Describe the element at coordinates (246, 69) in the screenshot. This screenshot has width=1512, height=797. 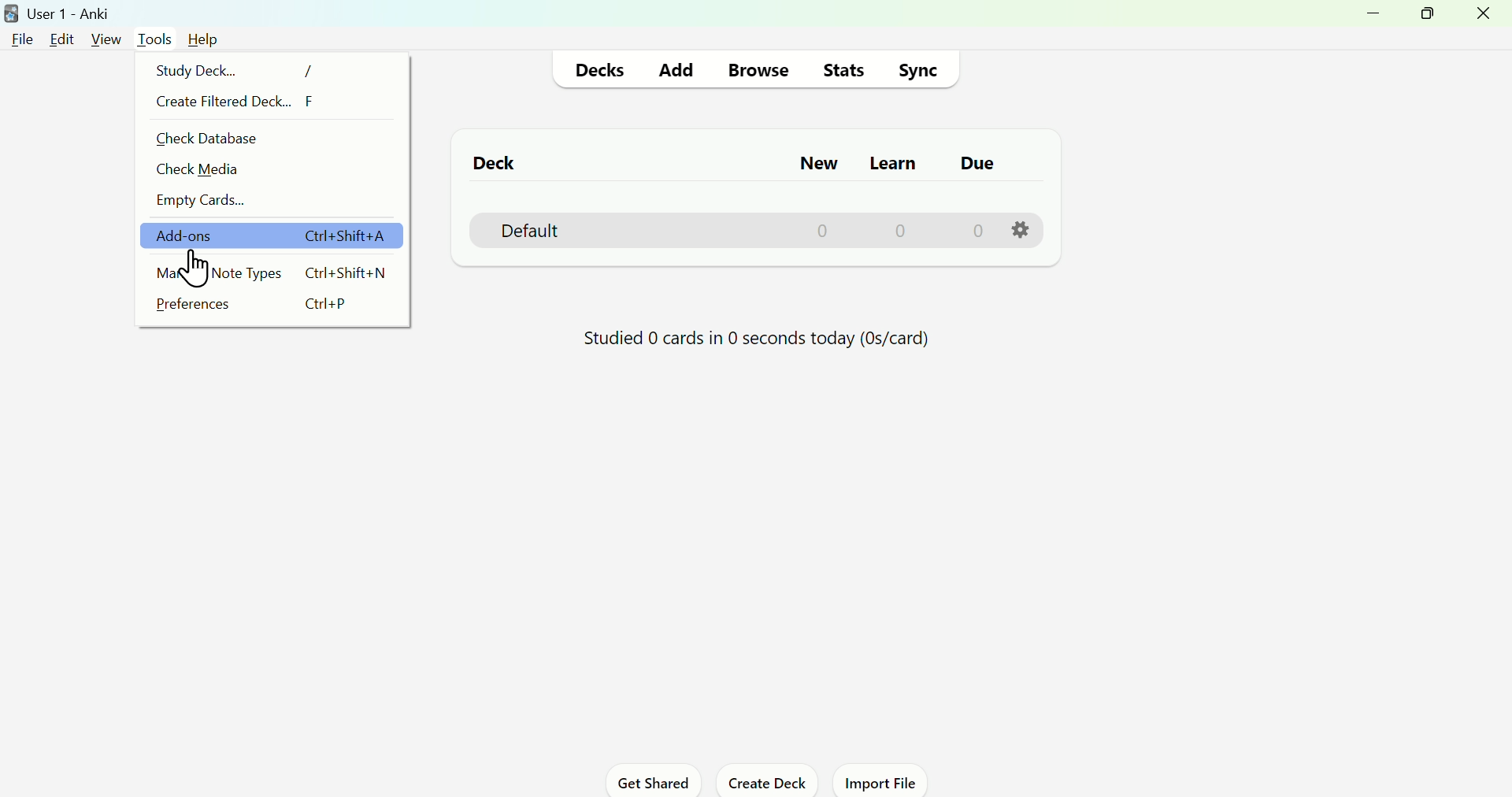
I see `Study Deck...` at that location.